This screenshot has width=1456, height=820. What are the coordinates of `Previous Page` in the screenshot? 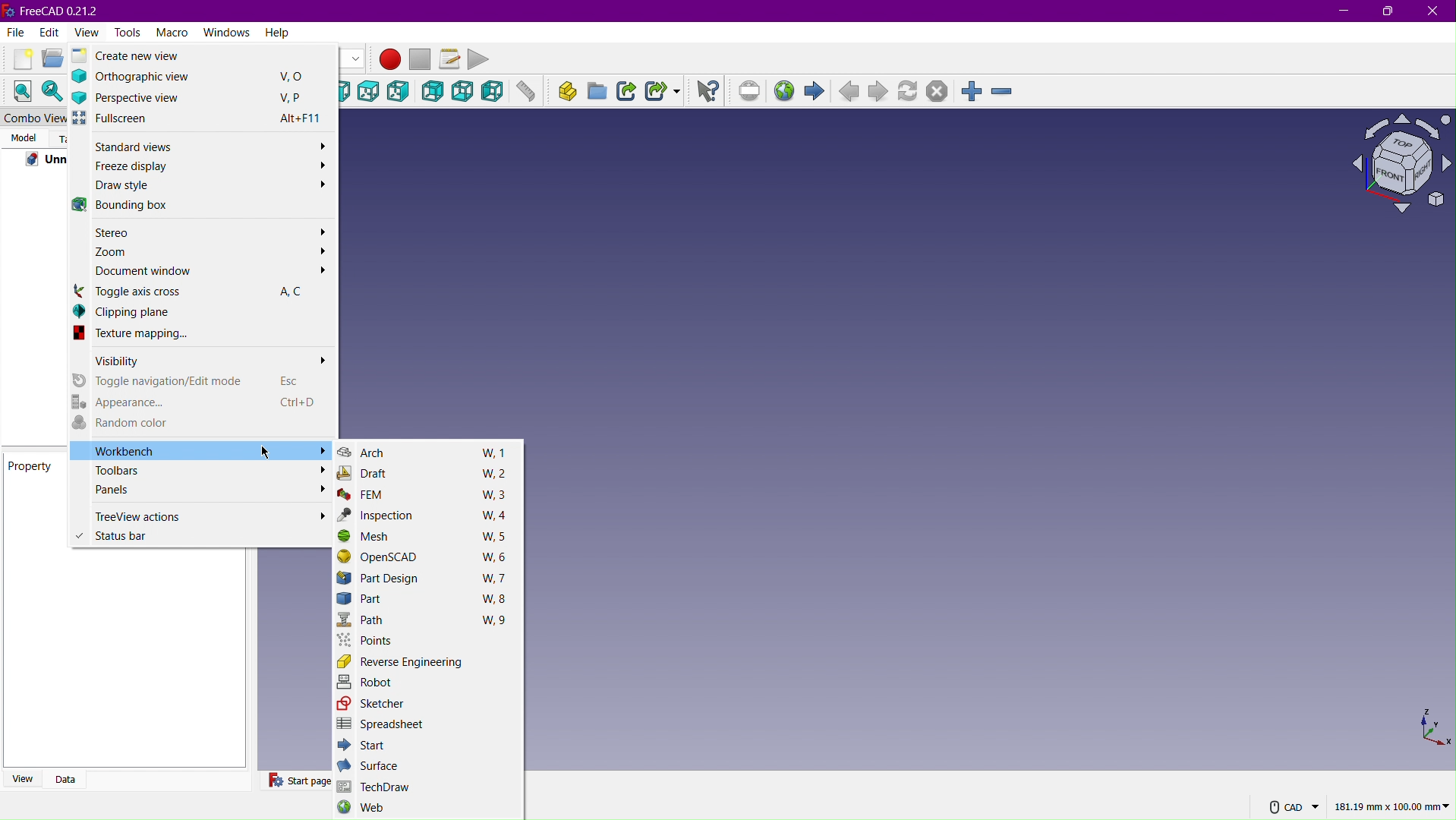 It's located at (846, 92).